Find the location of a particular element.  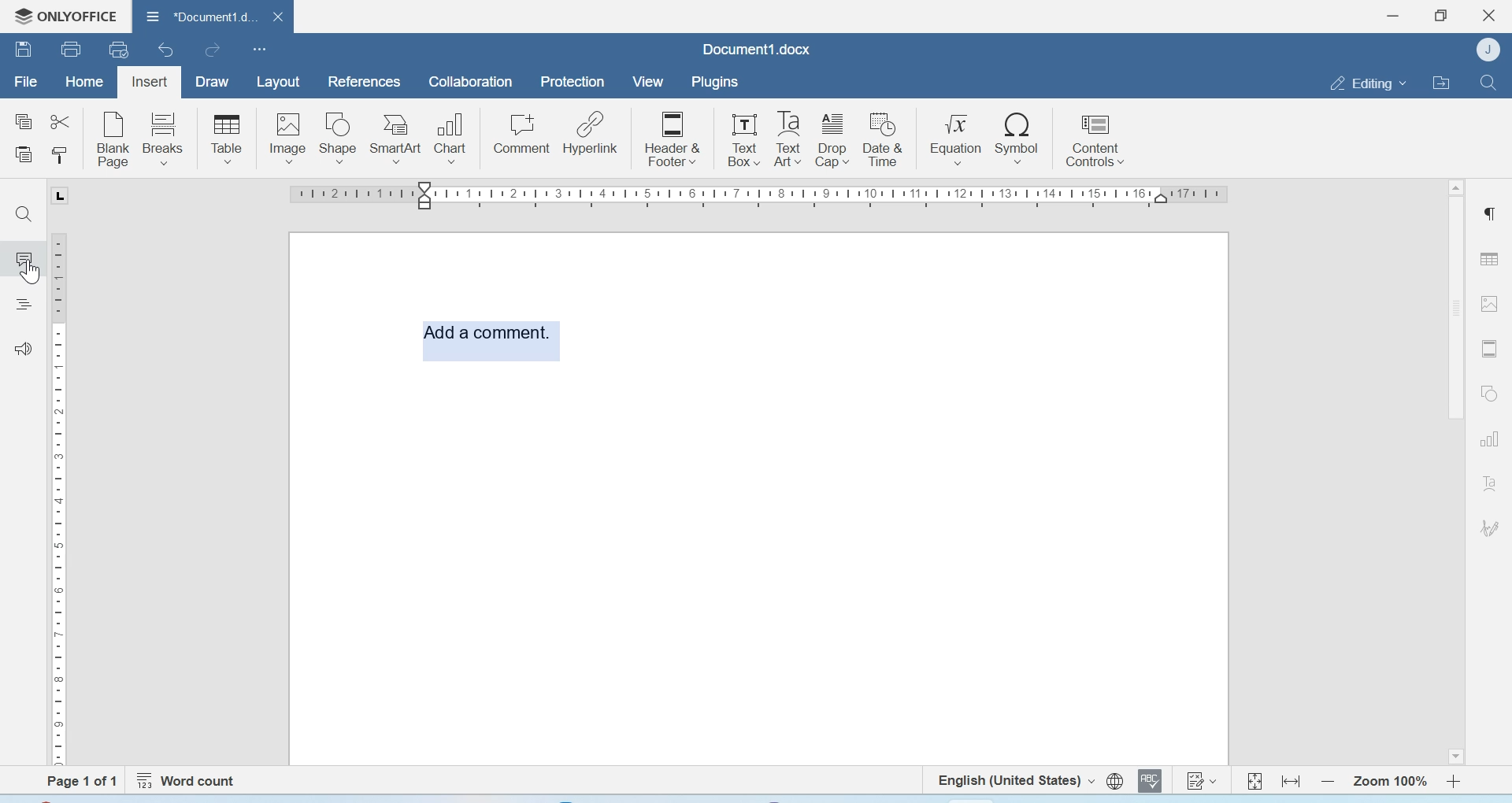

Paragraph settings is located at coordinates (1488, 213).